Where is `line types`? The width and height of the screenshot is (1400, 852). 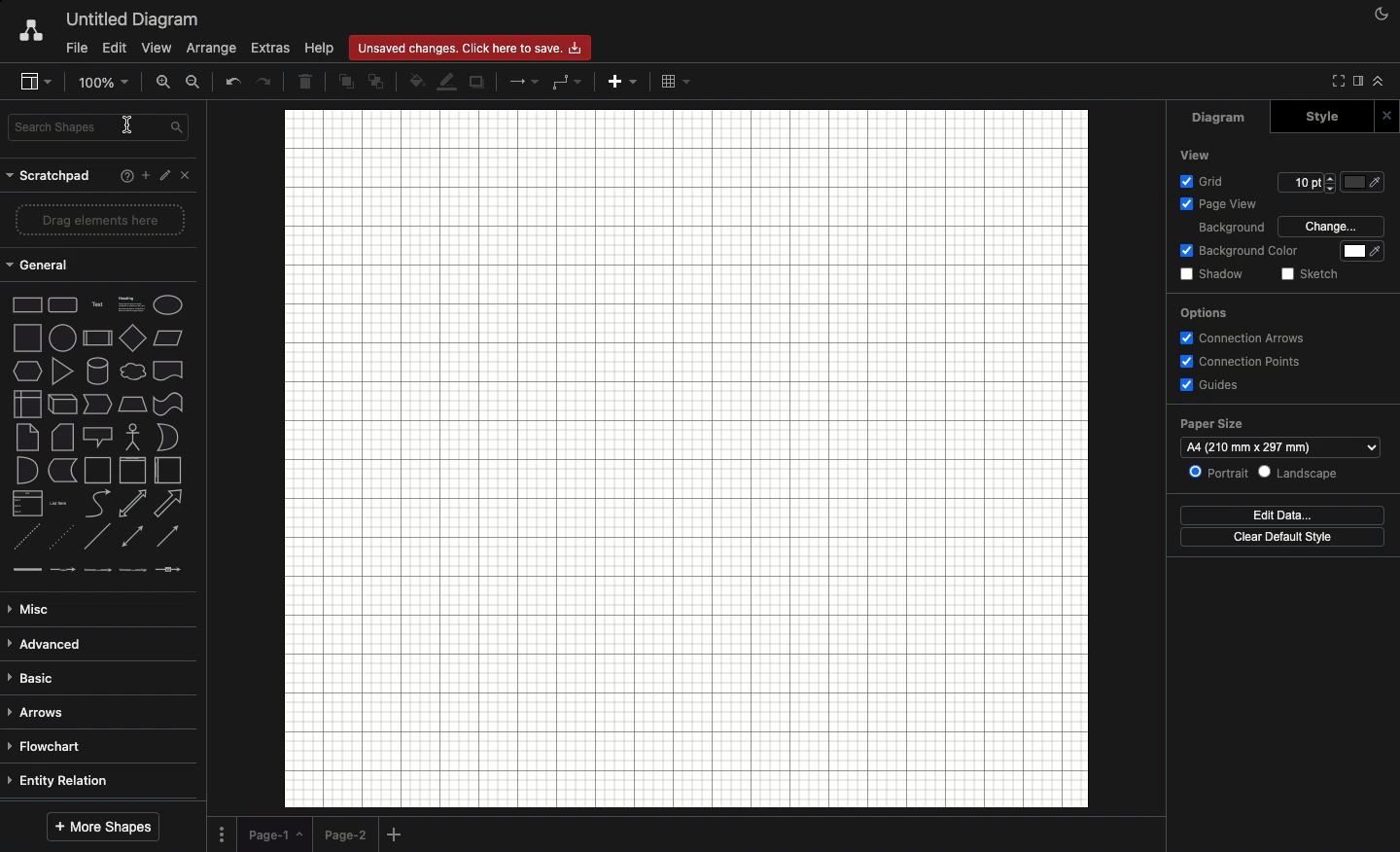
line types is located at coordinates (104, 578).